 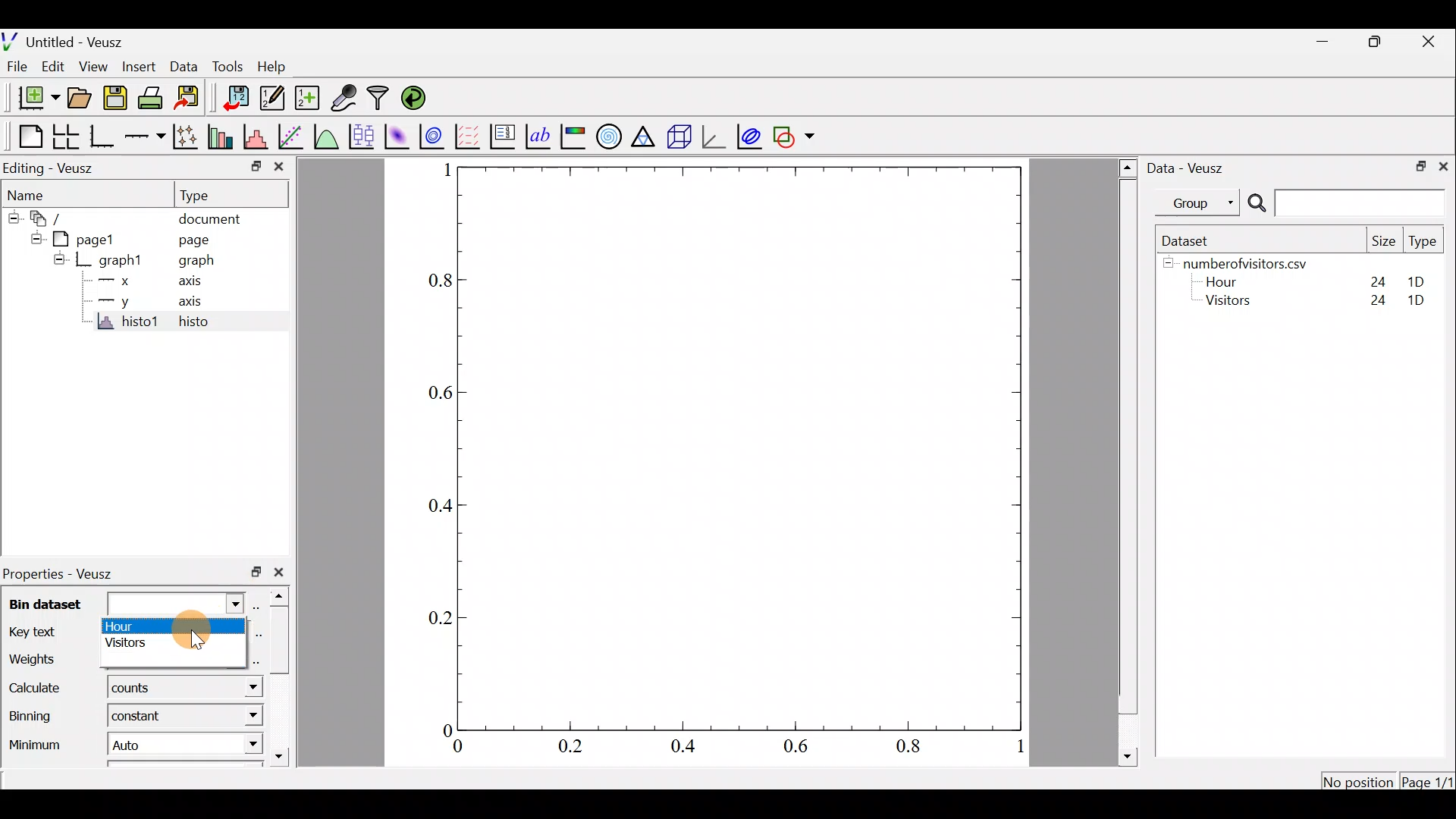 I want to click on View, so click(x=94, y=66).